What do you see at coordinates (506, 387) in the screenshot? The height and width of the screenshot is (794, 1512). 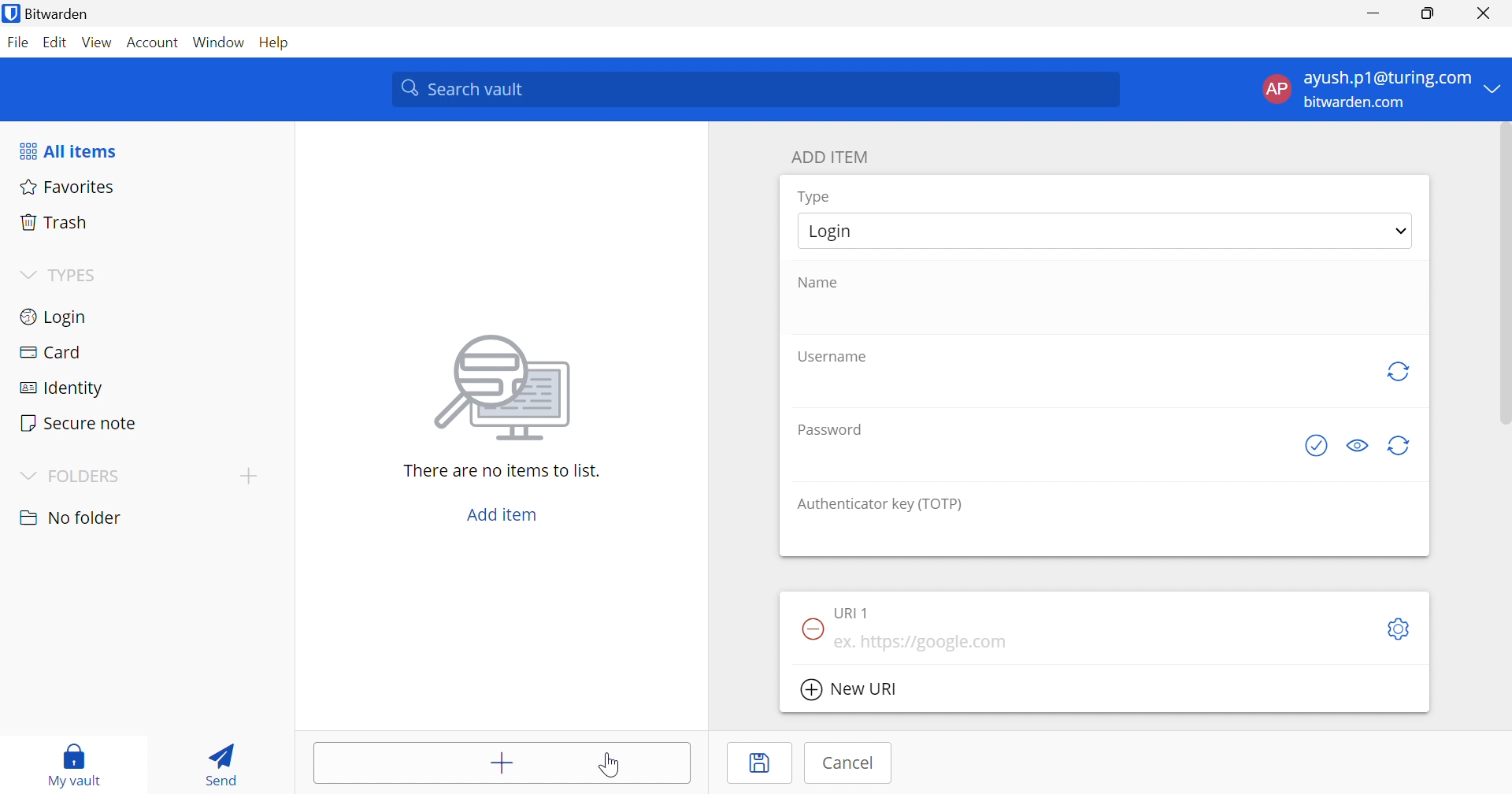 I see `Image` at bounding box center [506, 387].